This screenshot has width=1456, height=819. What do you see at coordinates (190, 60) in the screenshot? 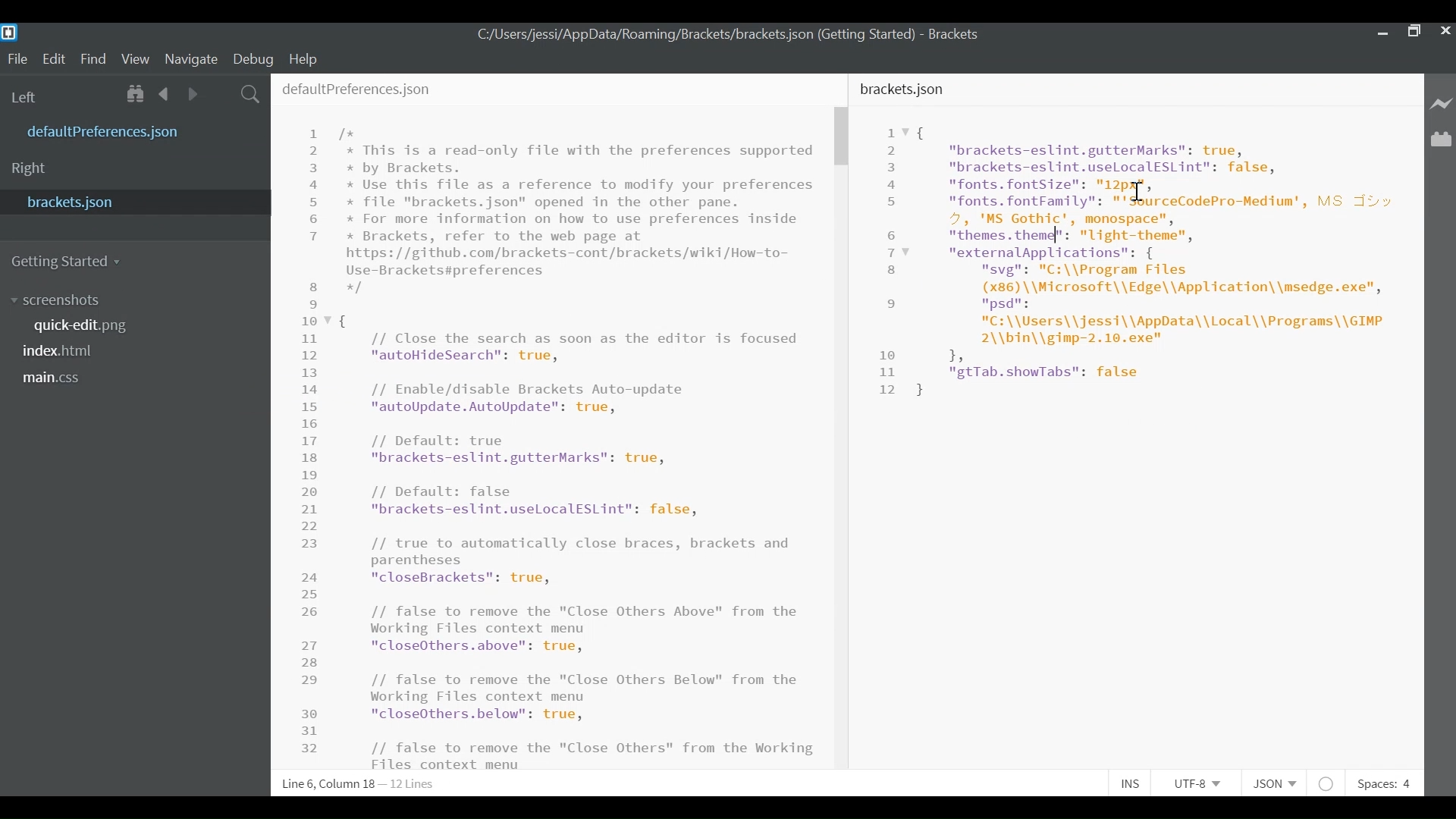
I see `Navigate` at bounding box center [190, 60].